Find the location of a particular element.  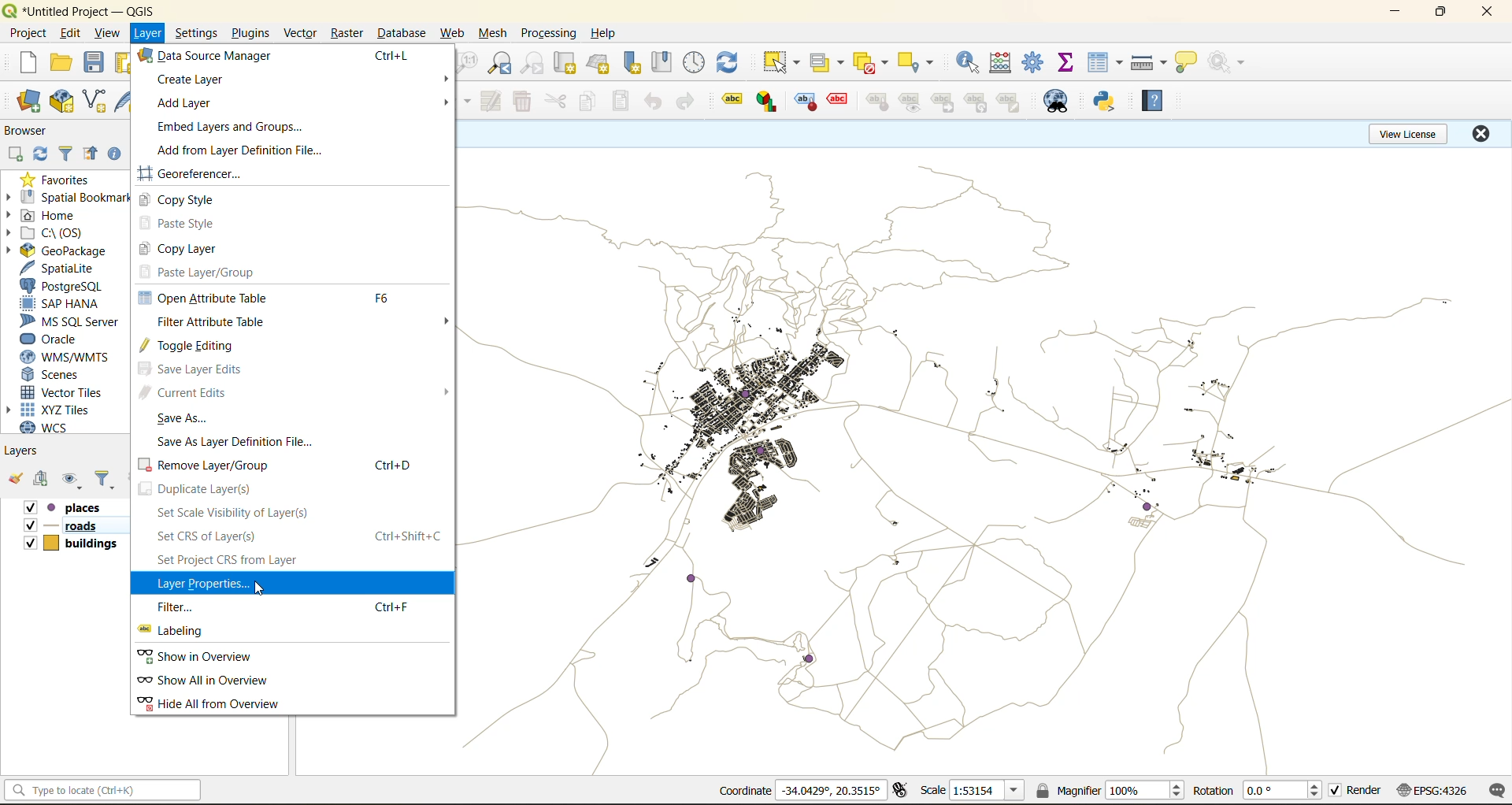

wms is located at coordinates (76, 356).